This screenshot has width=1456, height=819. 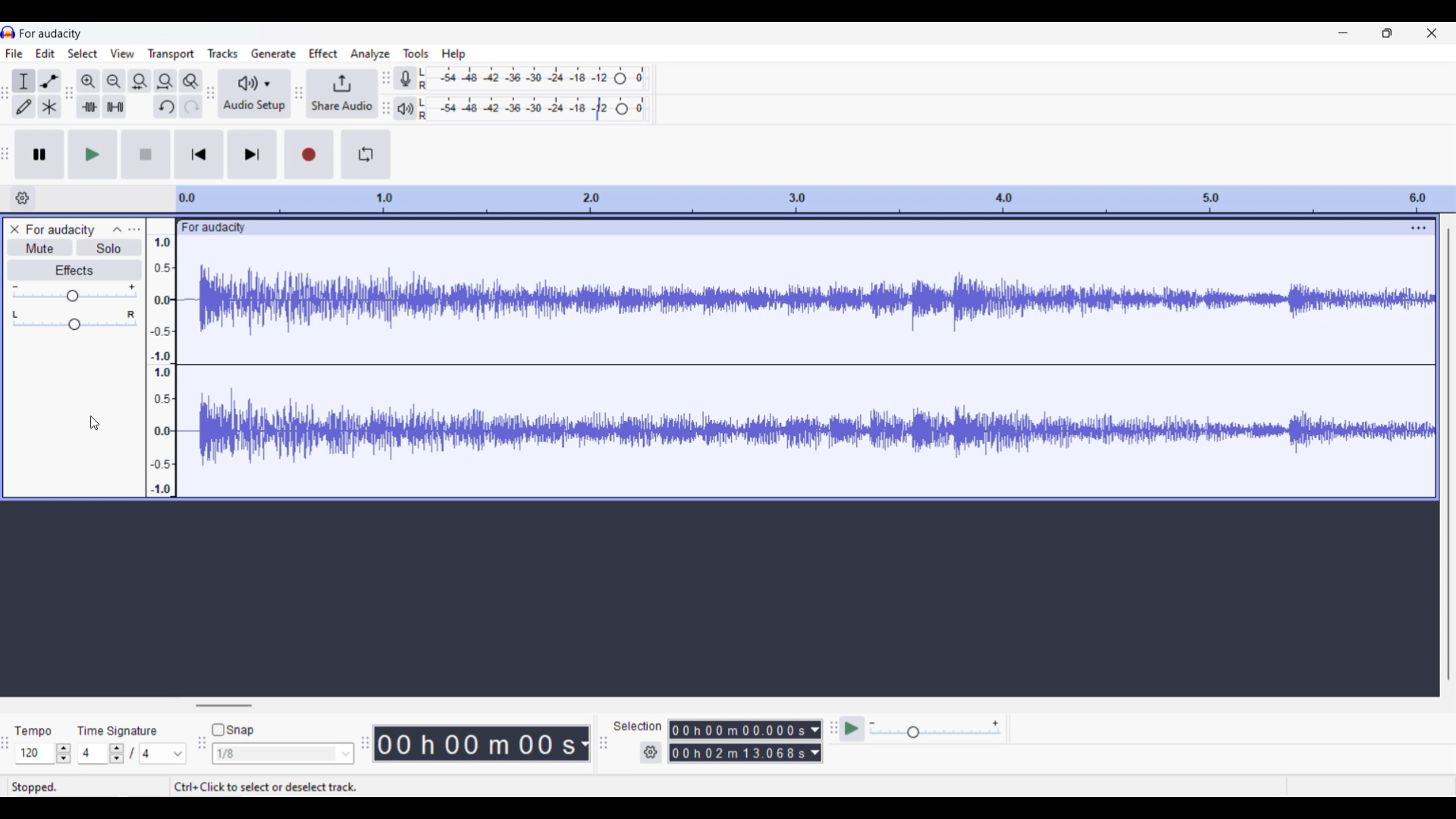 I want to click on Mute, so click(x=39, y=247).